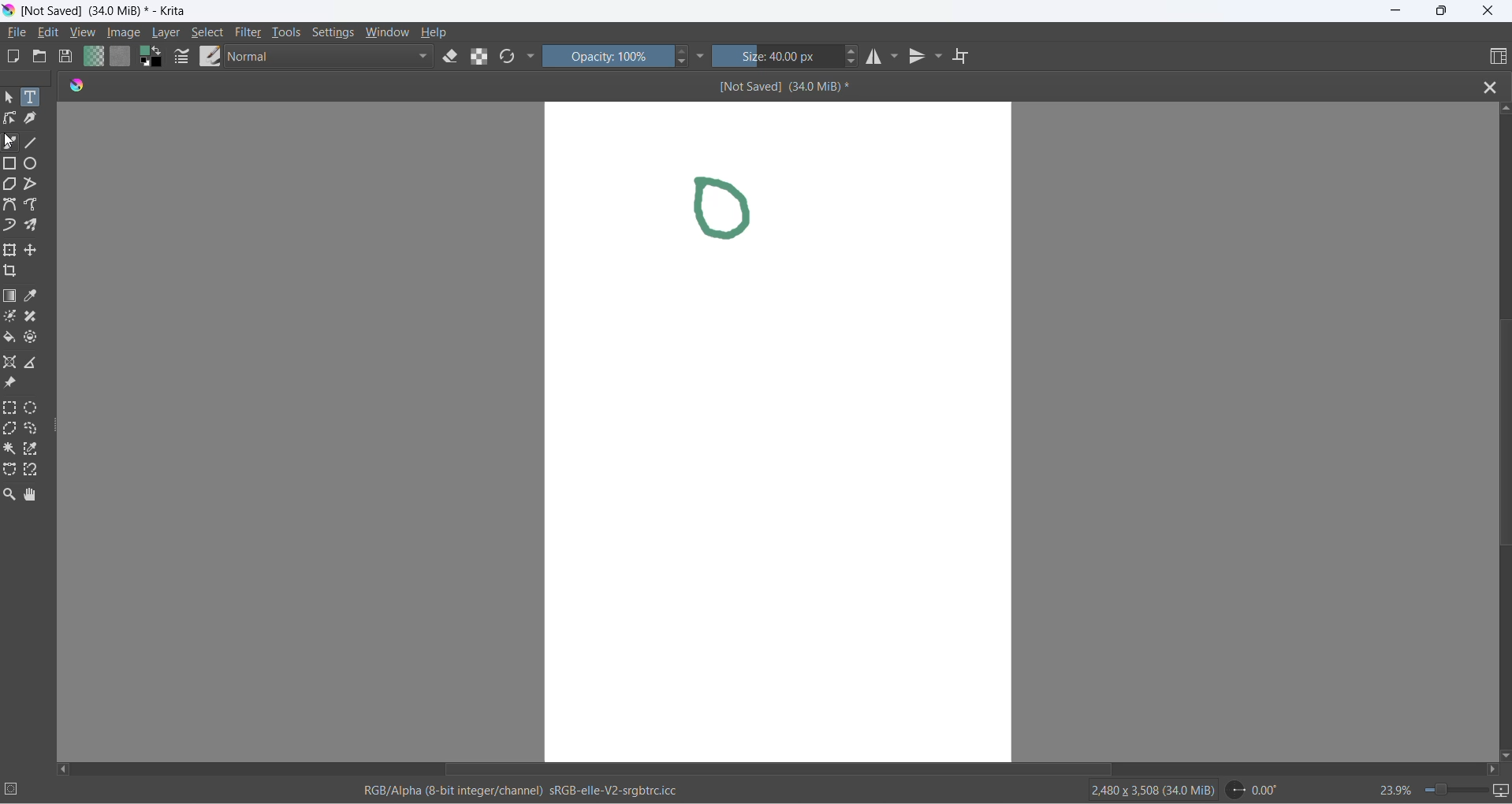 The height and width of the screenshot is (804, 1512). Describe the element at coordinates (16, 274) in the screenshot. I see `crop an image to an area` at that location.